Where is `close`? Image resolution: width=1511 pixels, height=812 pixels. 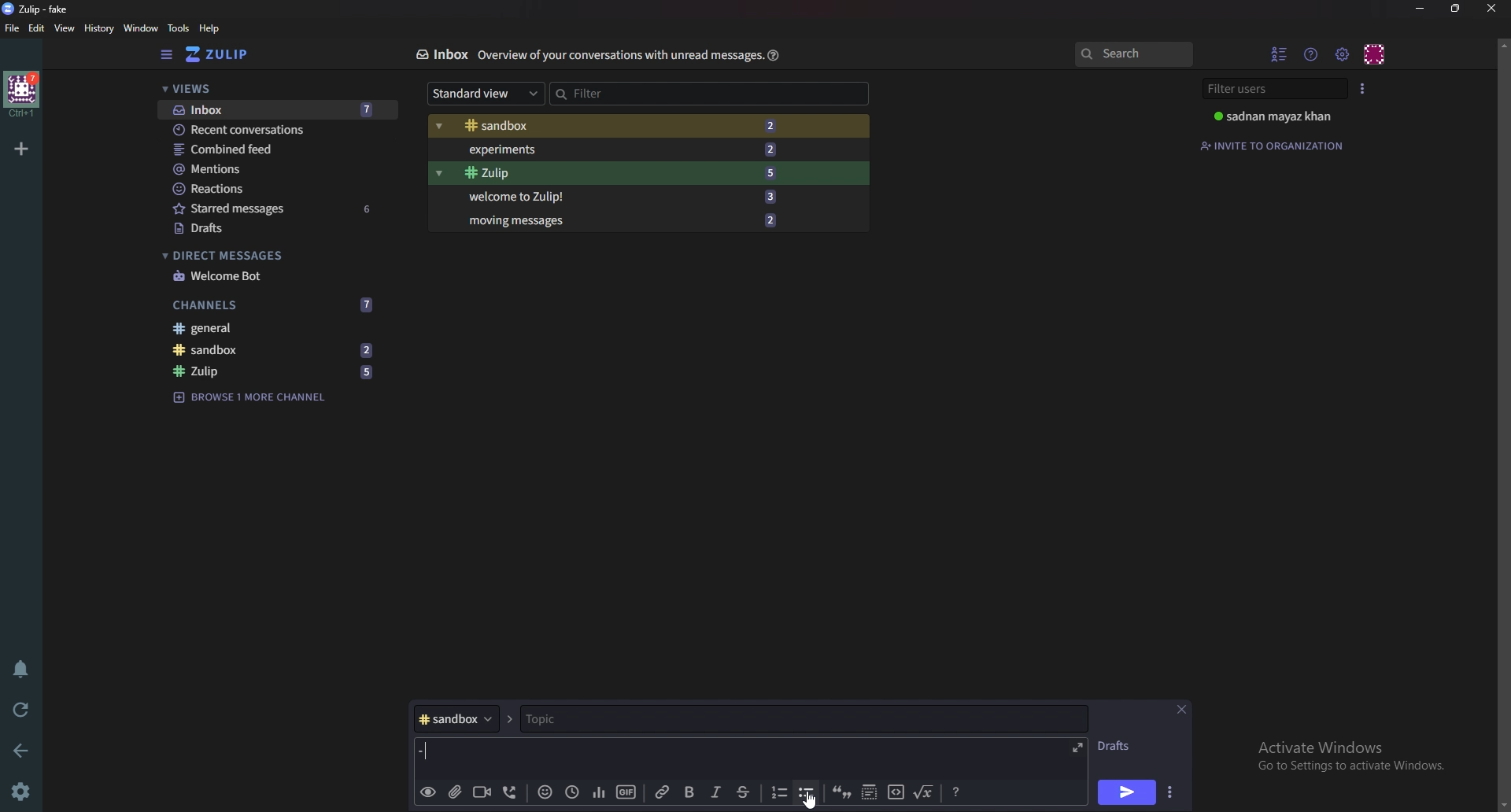
close is located at coordinates (1490, 8).